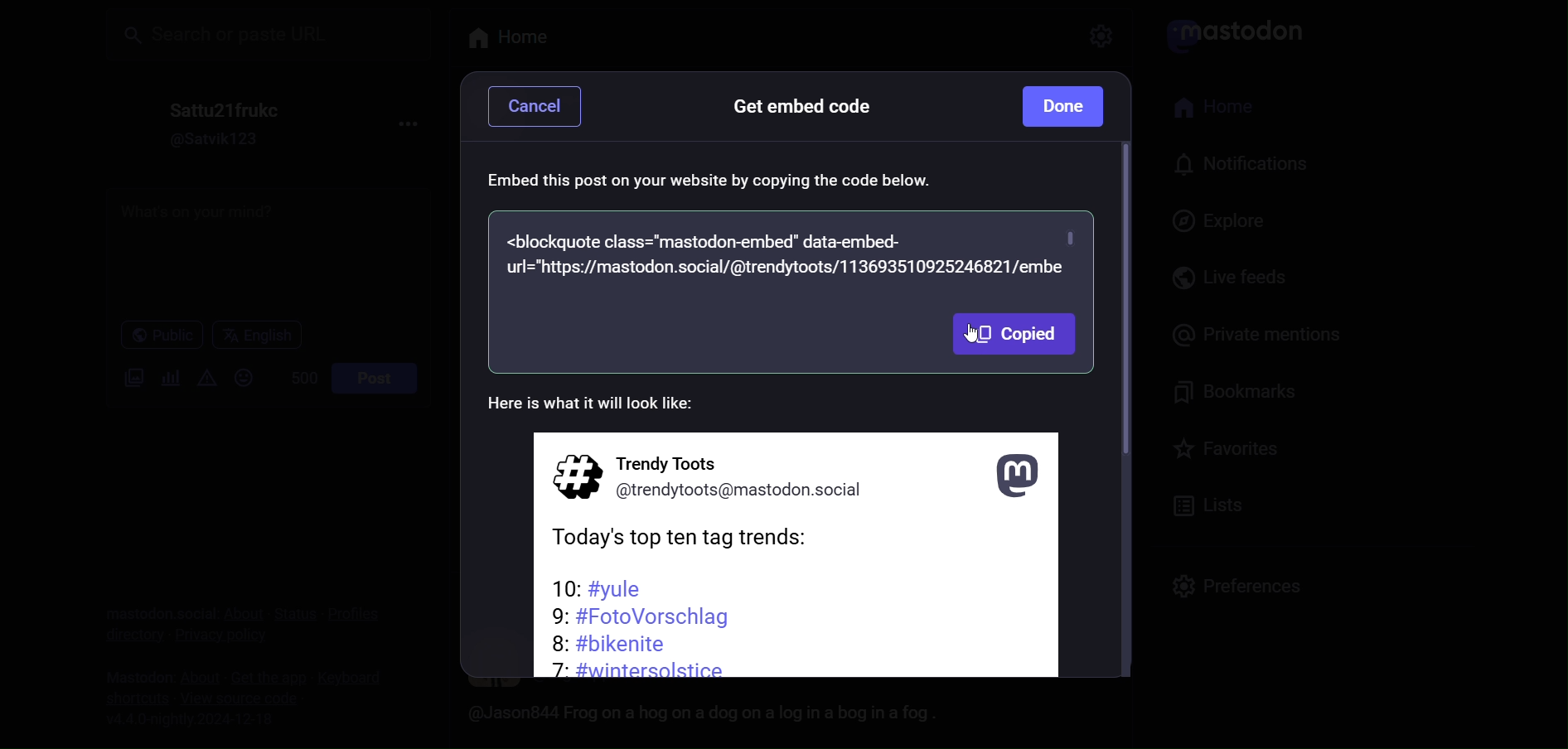 The height and width of the screenshot is (749, 1568). What do you see at coordinates (791, 254) in the screenshot?
I see `embed code` at bounding box center [791, 254].